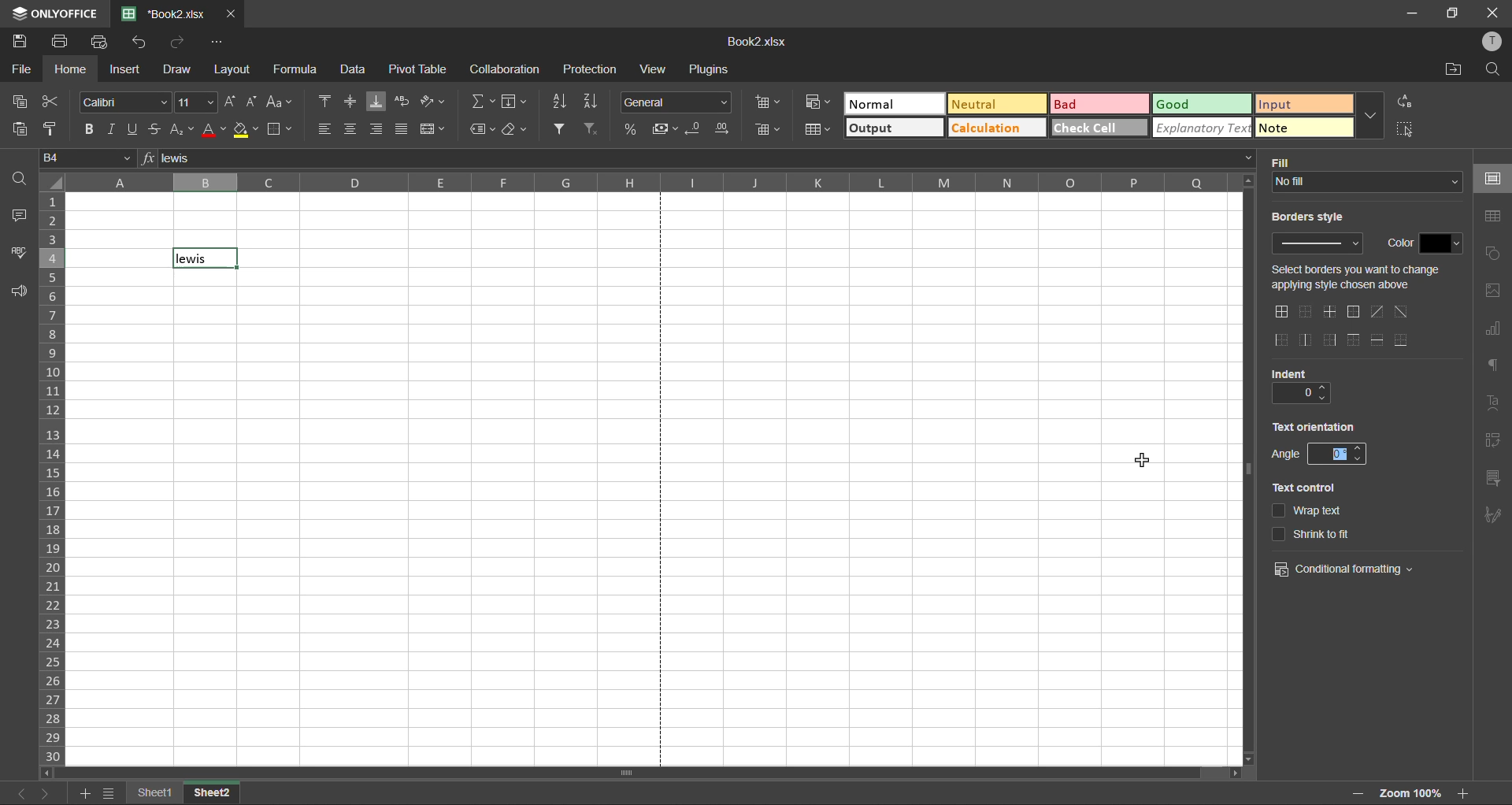 The width and height of the screenshot is (1512, 805). What do you see at coordinates (401, 129) in the screenshot?
I see `justified` at bounding box center [401, 129].